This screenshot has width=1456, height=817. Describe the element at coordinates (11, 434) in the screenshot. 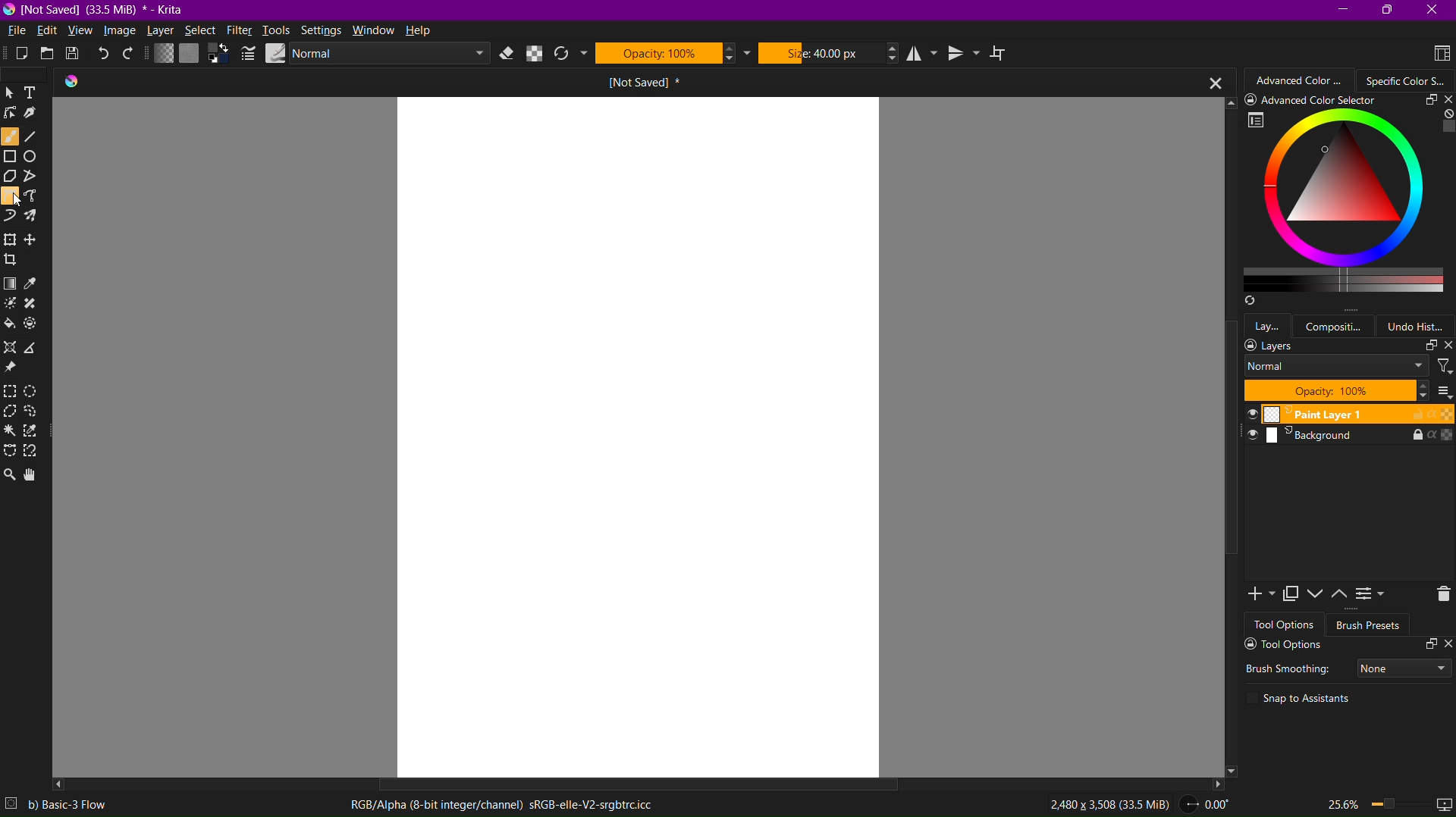

I see `Contiguous Selection Tool` at that location.